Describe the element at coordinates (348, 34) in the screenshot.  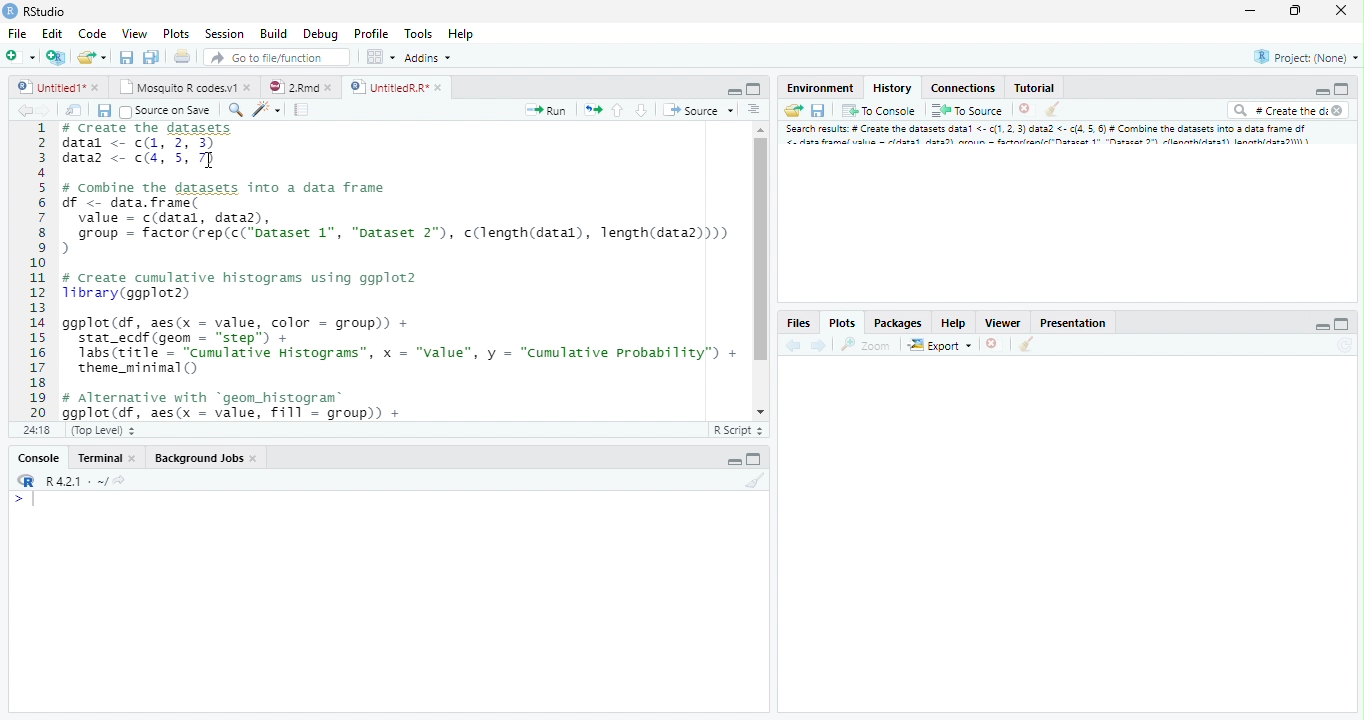
I see `Debug` at that location.